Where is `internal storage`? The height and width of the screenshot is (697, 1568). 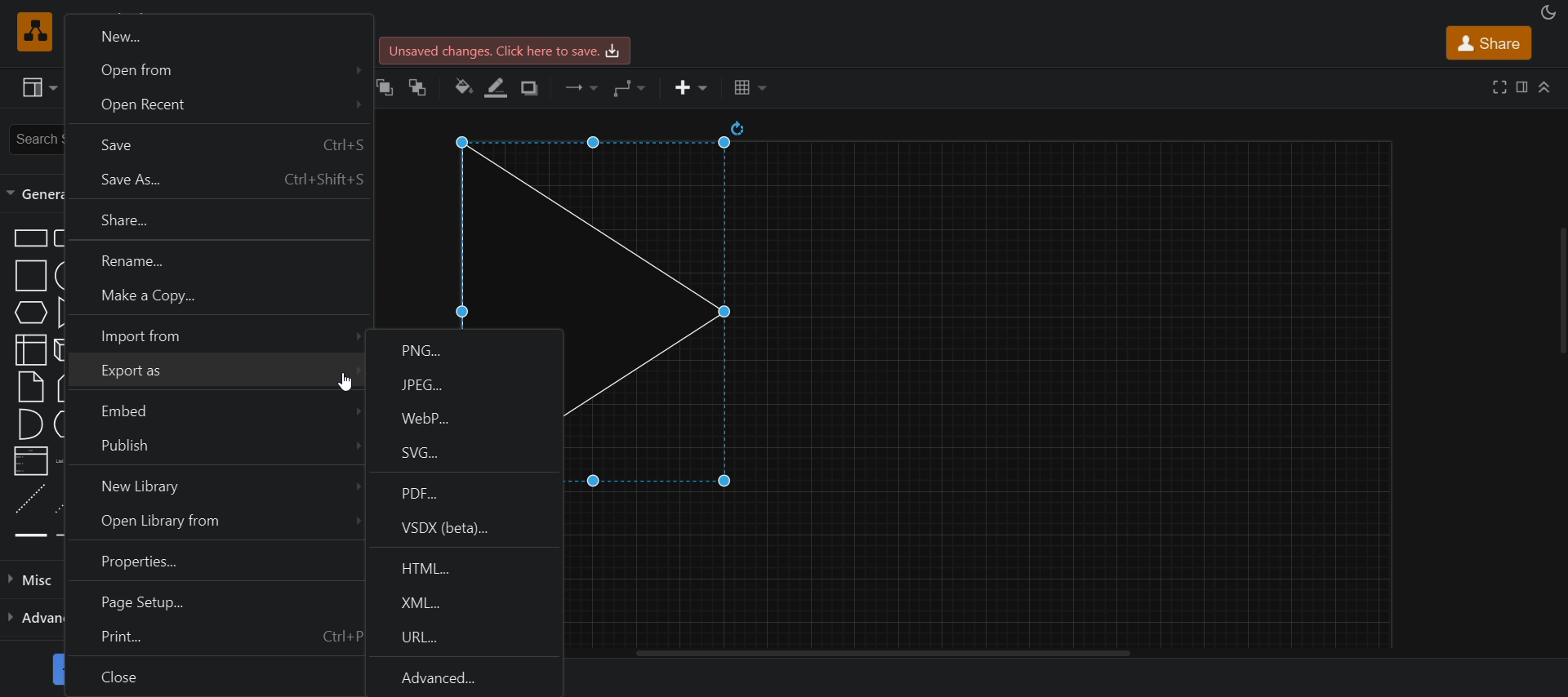
internal storage is located at coordinates (30, 351).